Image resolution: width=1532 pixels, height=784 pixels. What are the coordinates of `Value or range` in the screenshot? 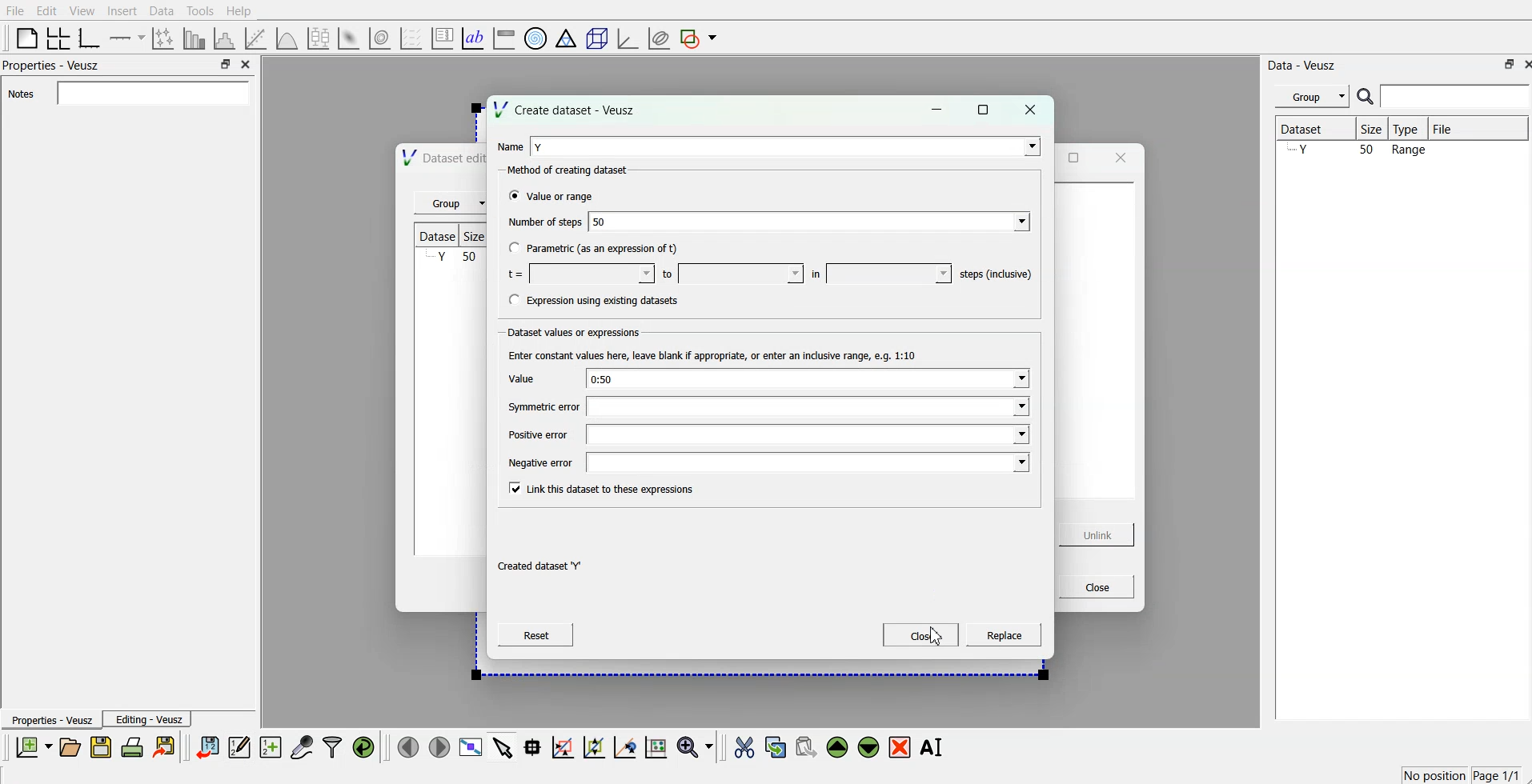 It's located at (565, 198).